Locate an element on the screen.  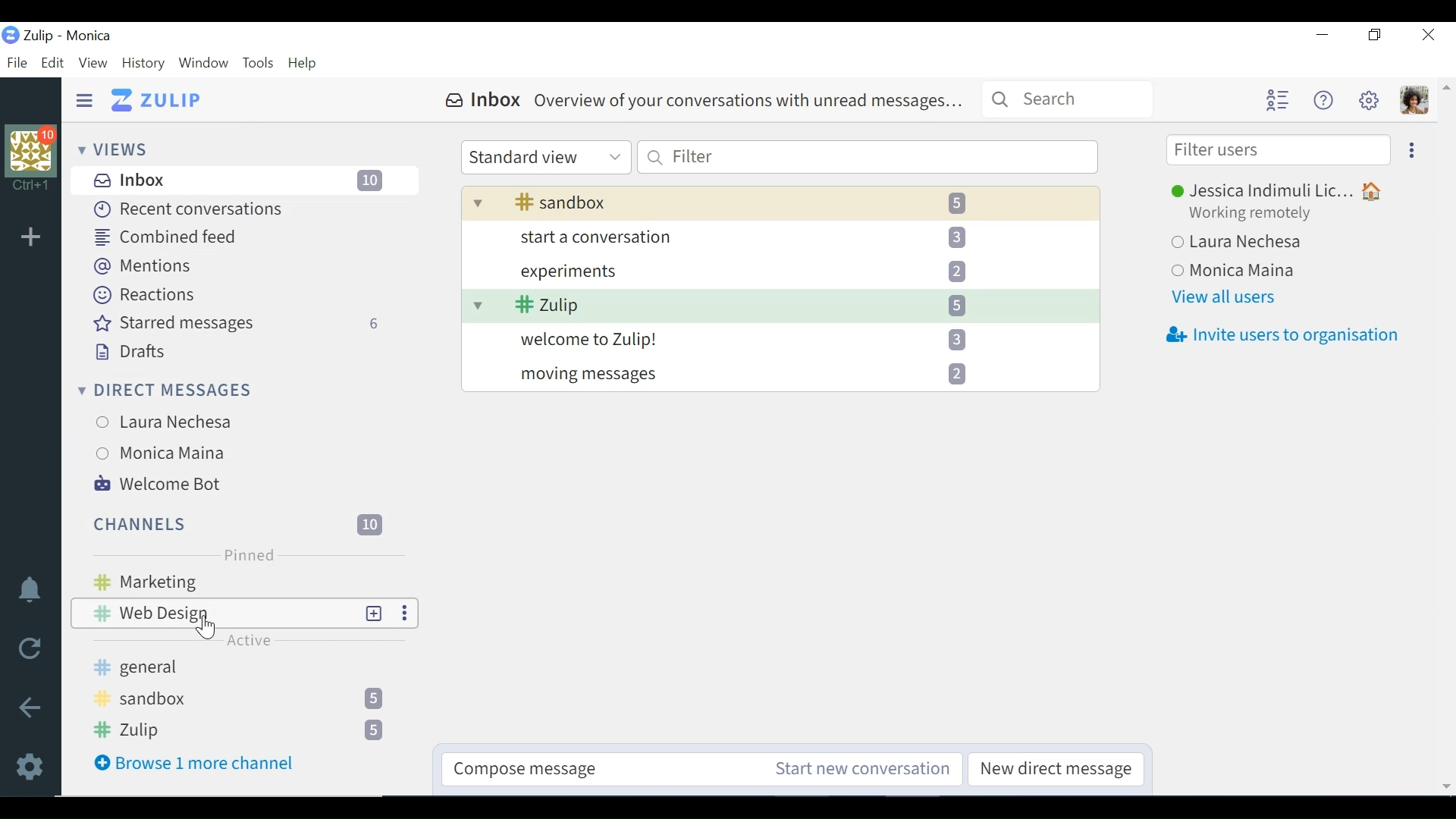
User is located at coordinates (172, 419).